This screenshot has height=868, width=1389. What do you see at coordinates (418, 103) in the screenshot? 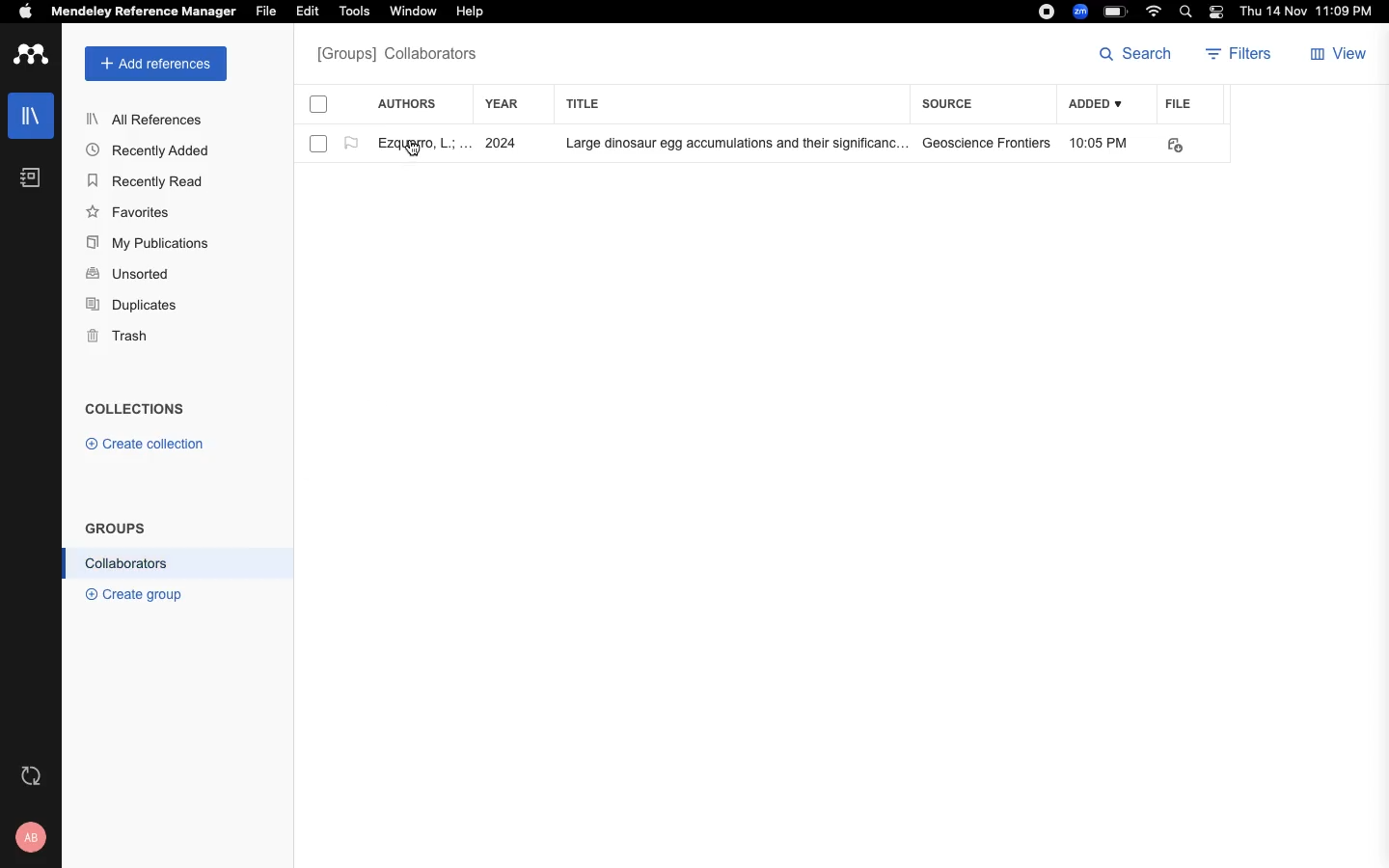
I see `authors` at bounding box center [418, 103].